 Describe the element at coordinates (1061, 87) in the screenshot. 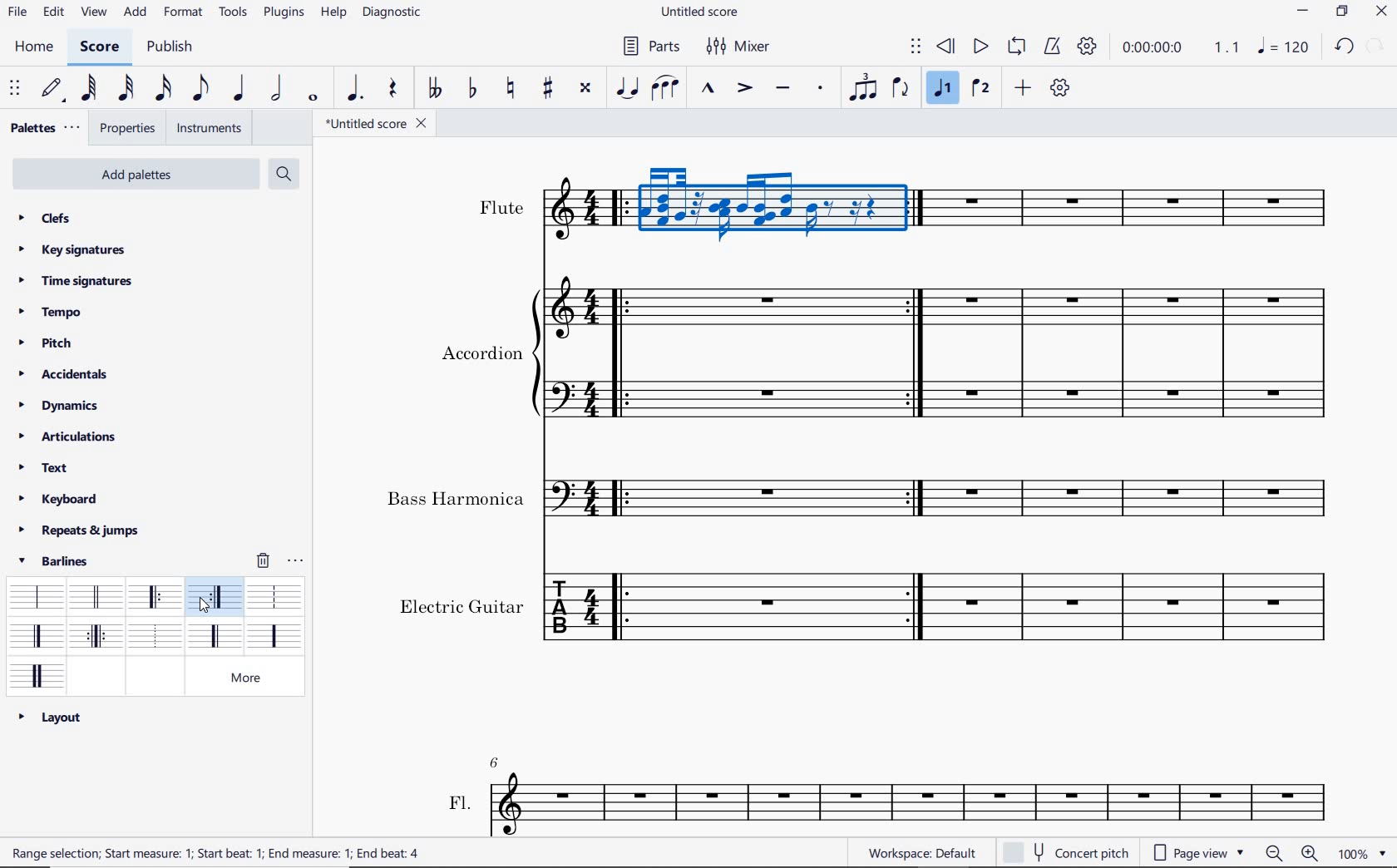

I see `customize toolbar` at that location.